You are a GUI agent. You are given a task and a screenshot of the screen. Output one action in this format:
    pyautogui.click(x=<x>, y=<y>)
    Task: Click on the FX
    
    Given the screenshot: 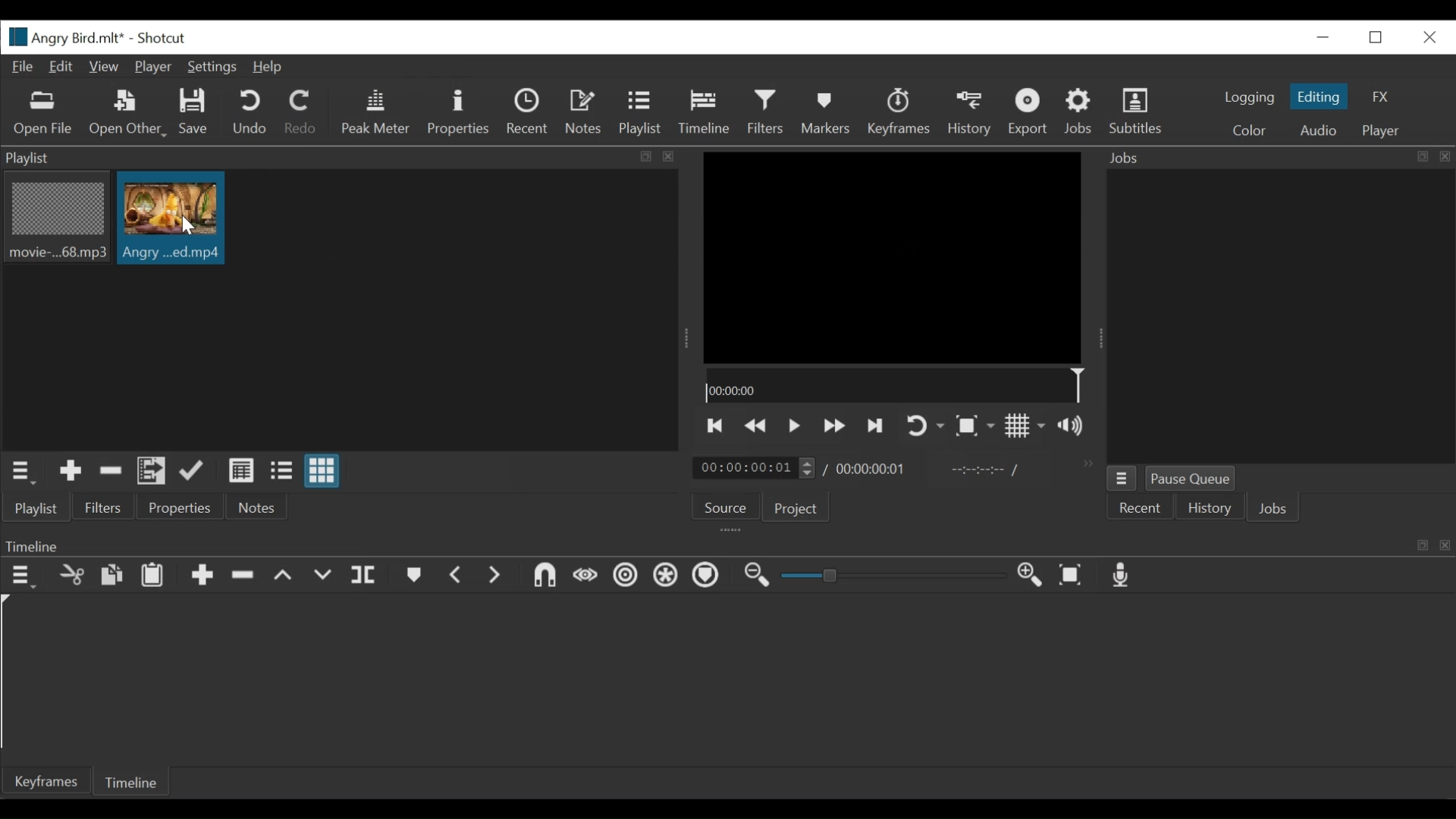 What is the action you would take?
    pyautogui.click(x=1382, y=96)
    